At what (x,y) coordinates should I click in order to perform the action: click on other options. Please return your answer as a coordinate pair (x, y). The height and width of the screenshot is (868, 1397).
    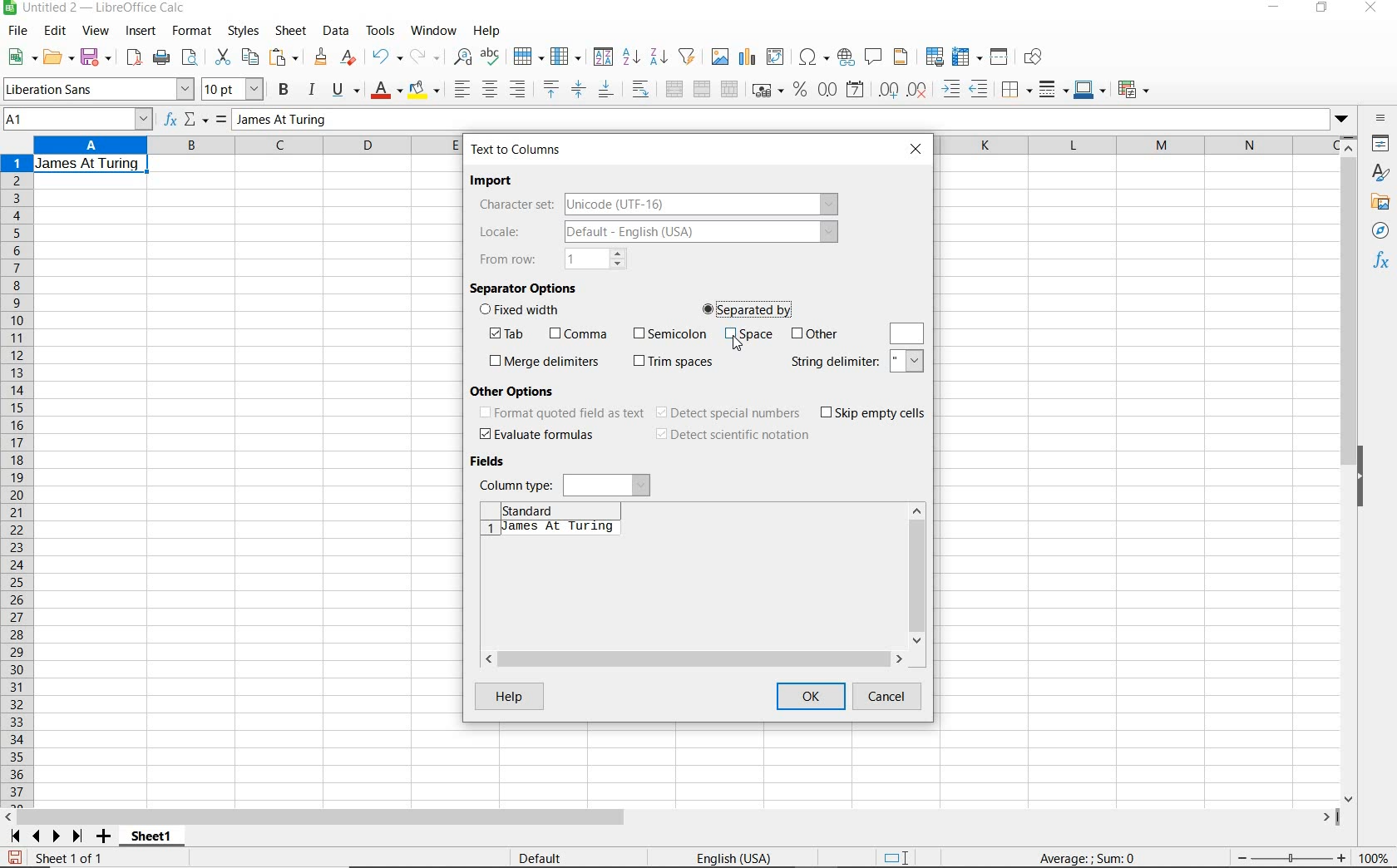
    Looking at the image, I should click on (518, 390).